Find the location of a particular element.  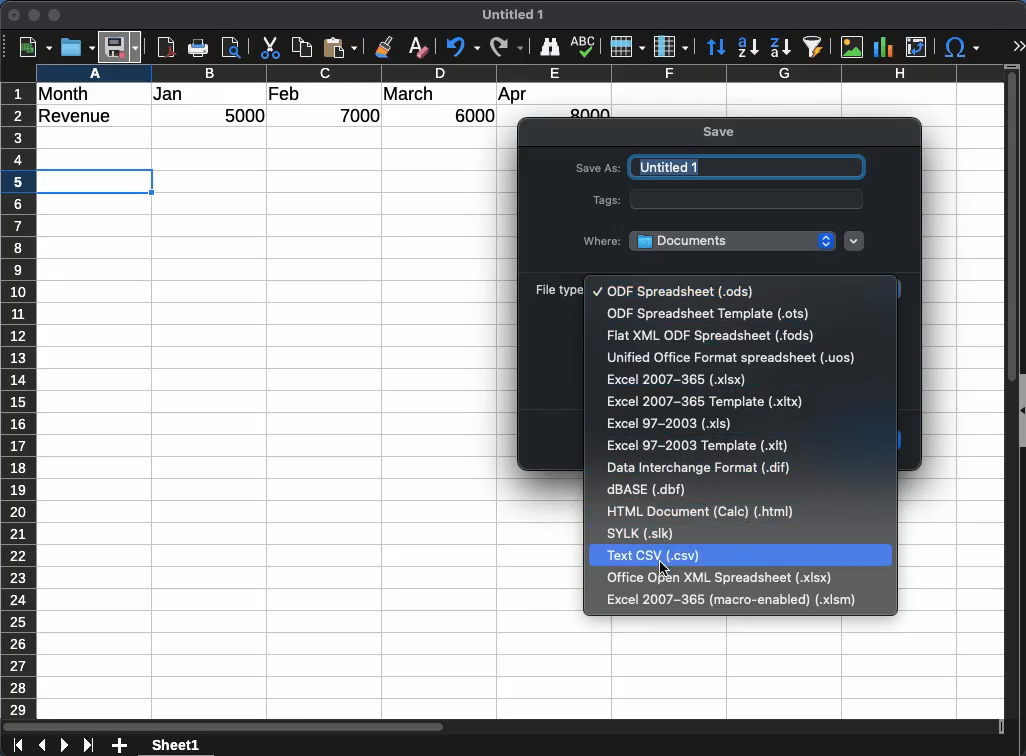

ascending is located at coordinates (748, 47).